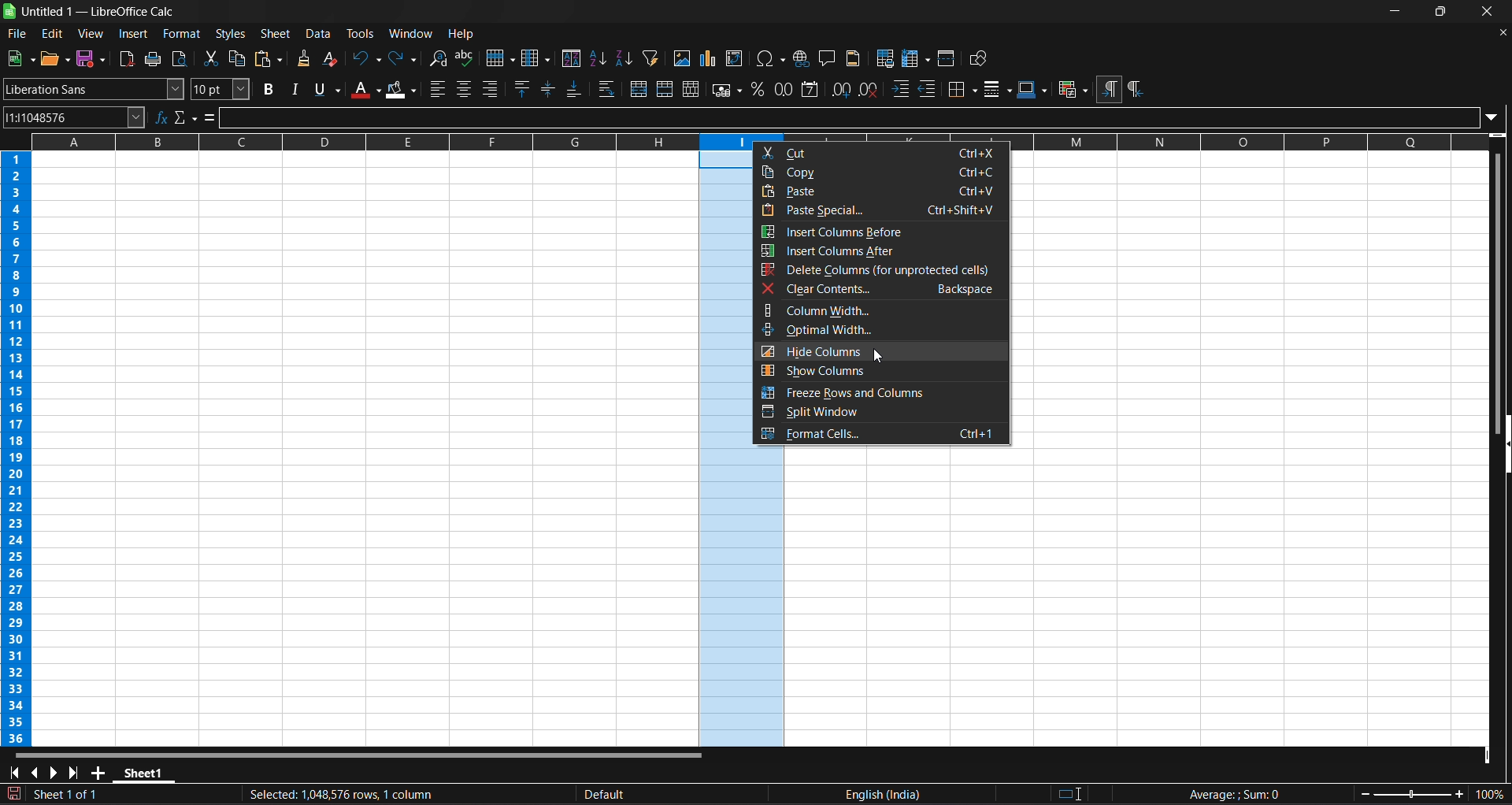 The image size is (1512, 805). What do you see at coordinates (830, 57) in the screenshot?
I see `insert comment` at bounding box center [830, 57].